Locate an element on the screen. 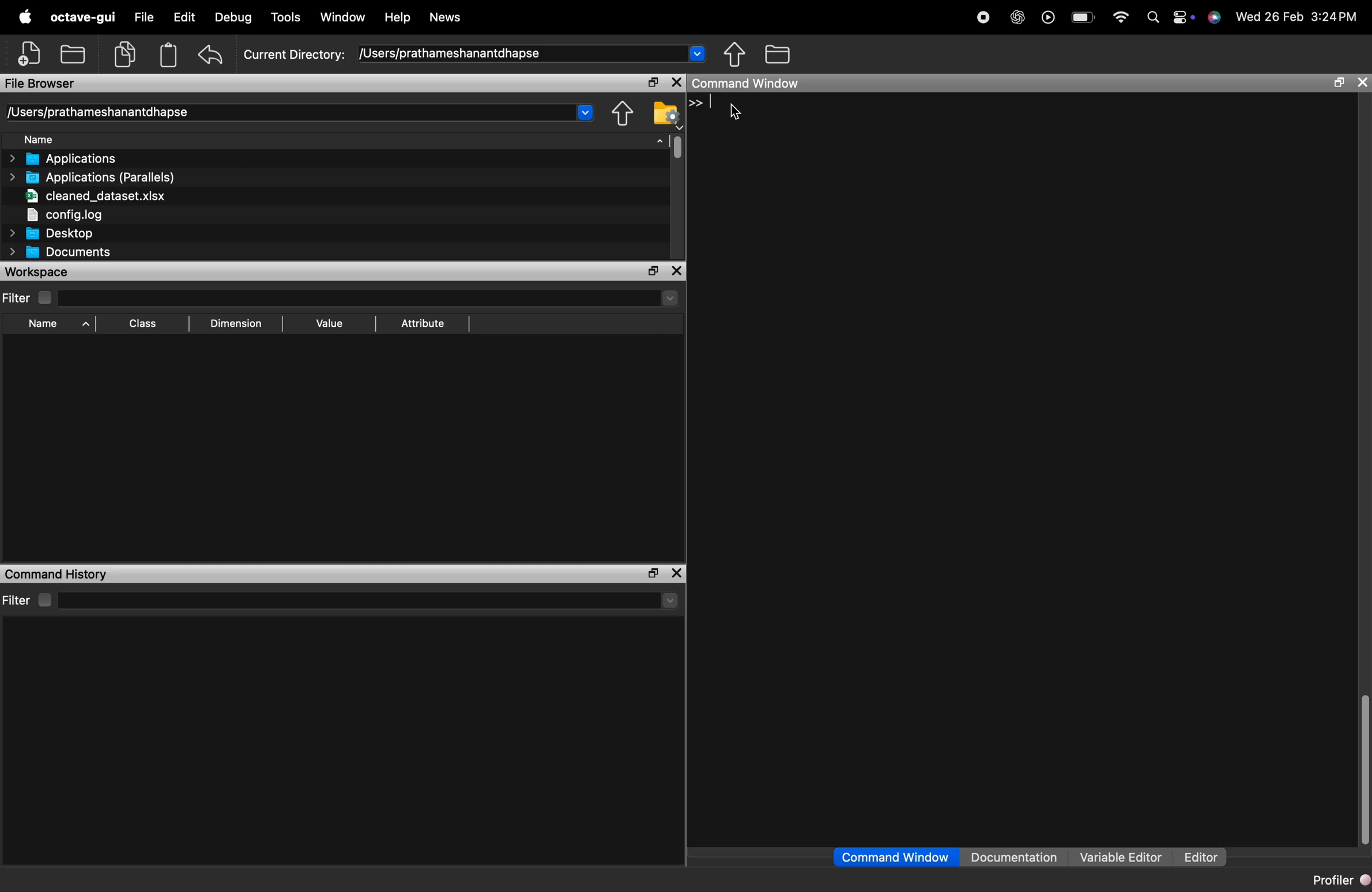 The width and height of the screenshot is (1372, 892). search box is located at coordinates (353, 296).